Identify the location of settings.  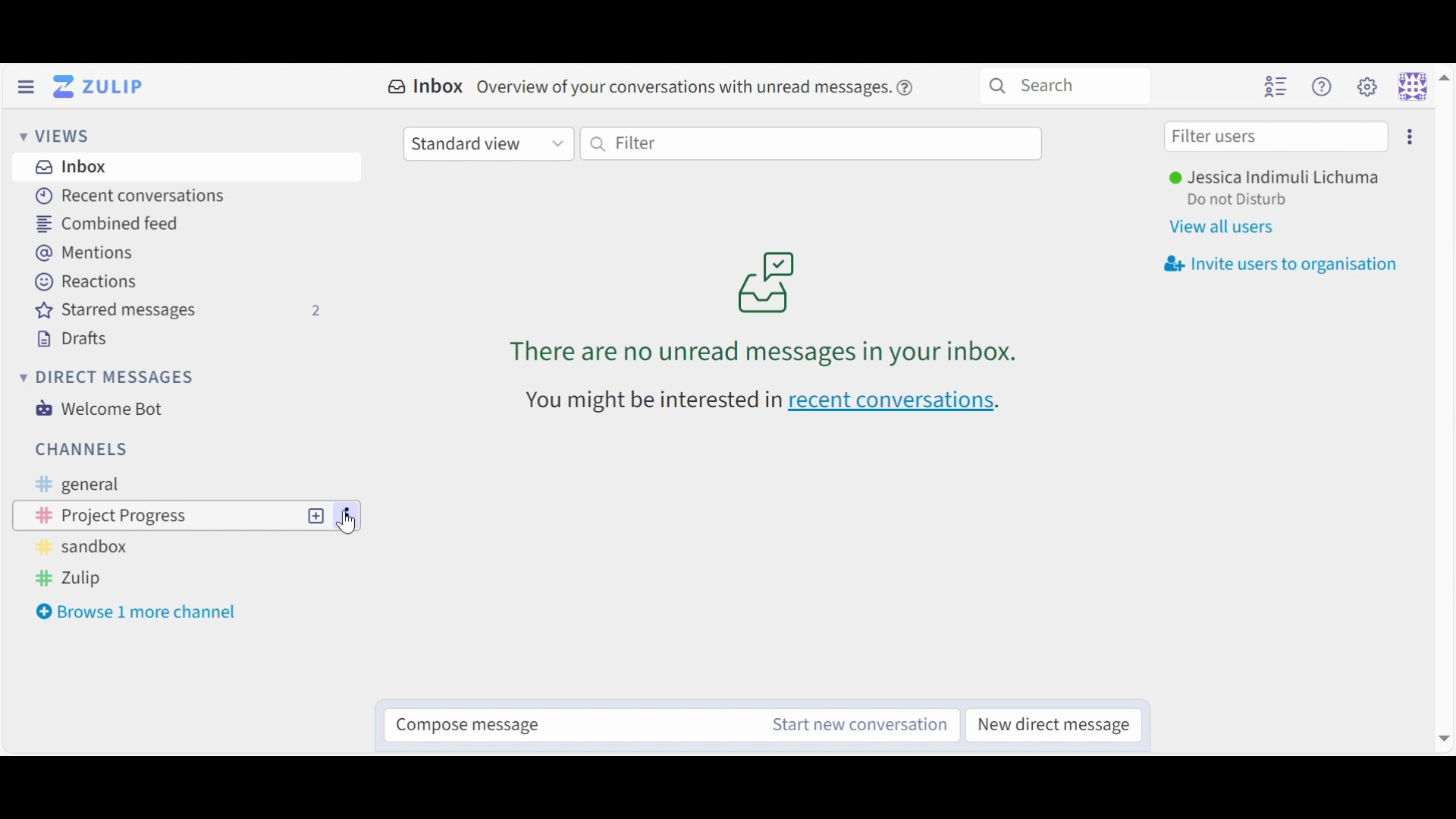
(1414, 137).